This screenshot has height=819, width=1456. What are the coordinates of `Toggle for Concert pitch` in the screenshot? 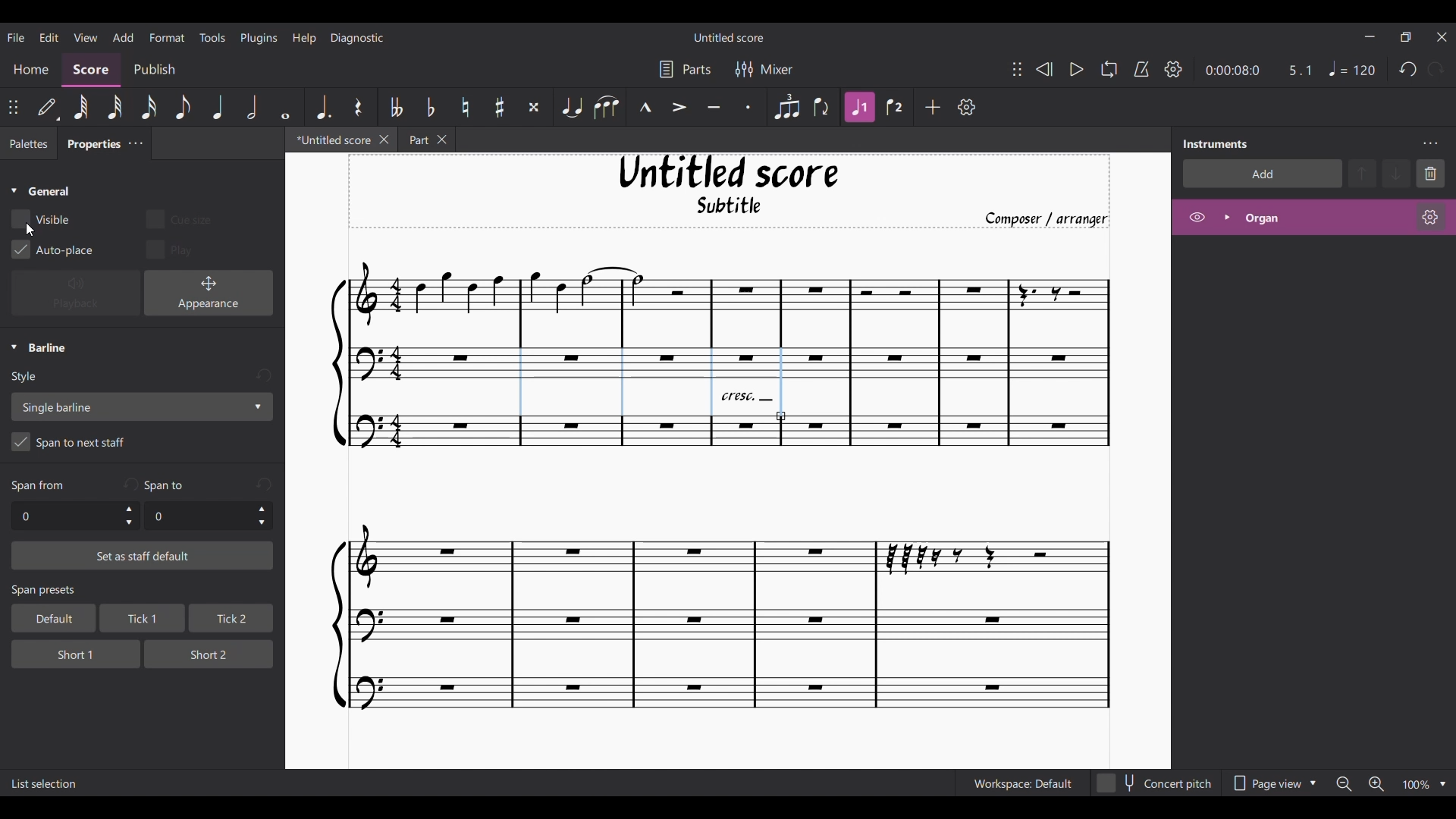 It's located at (1155, 783).